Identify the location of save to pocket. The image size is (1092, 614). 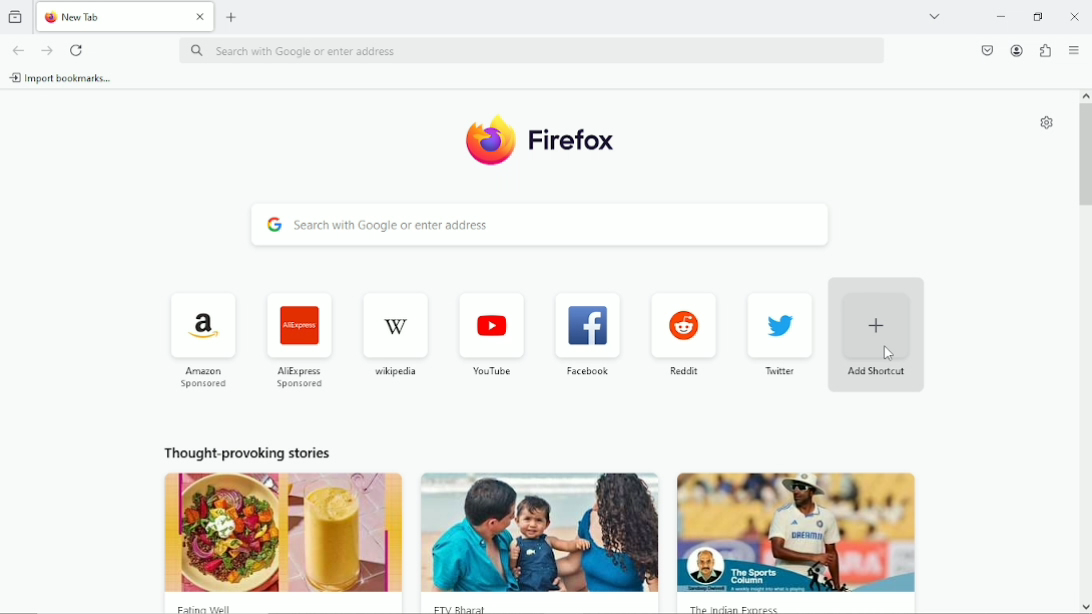
(986, 49).